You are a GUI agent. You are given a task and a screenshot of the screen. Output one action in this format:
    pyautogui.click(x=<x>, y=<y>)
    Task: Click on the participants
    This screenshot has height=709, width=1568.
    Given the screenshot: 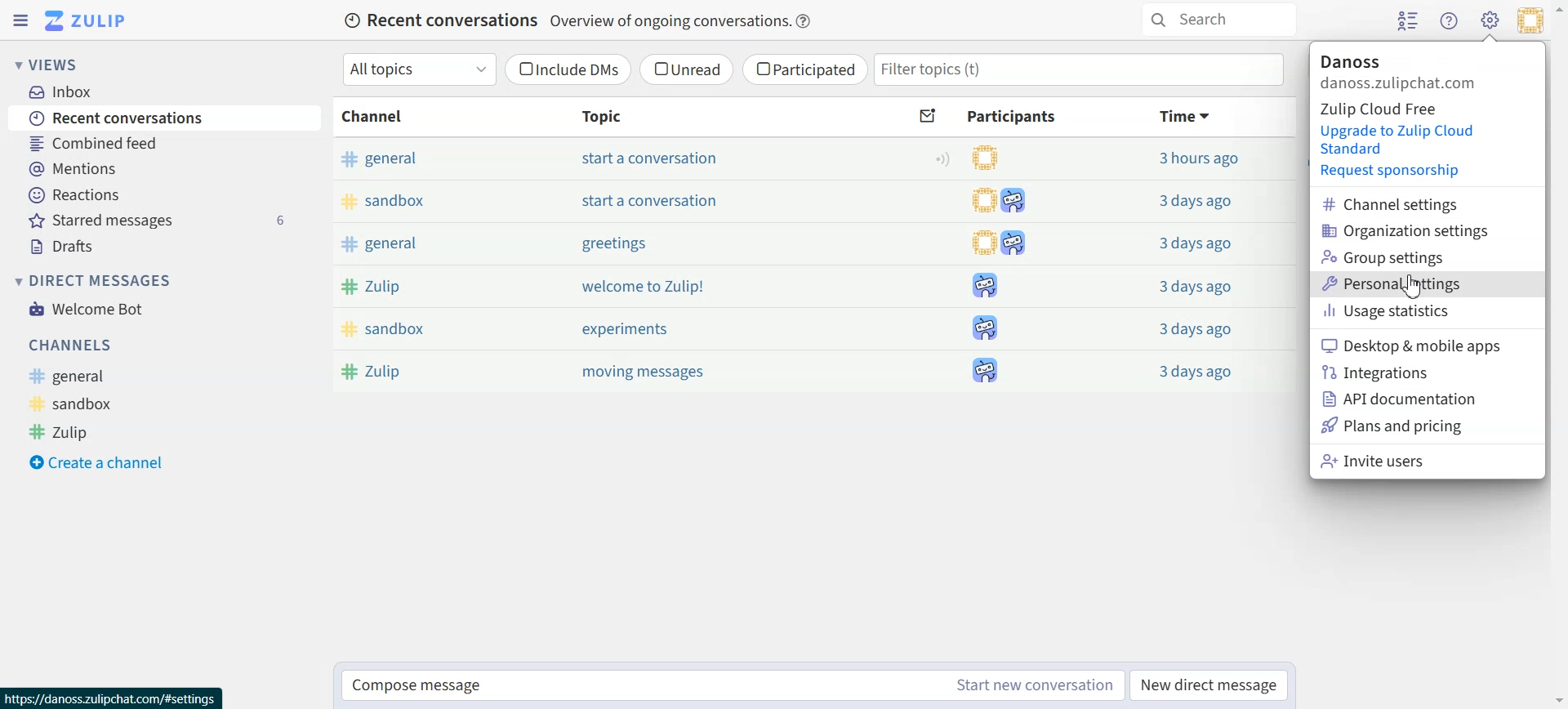 What is the action you would take?
    pyautogui.click(x=1002, y=243)
    